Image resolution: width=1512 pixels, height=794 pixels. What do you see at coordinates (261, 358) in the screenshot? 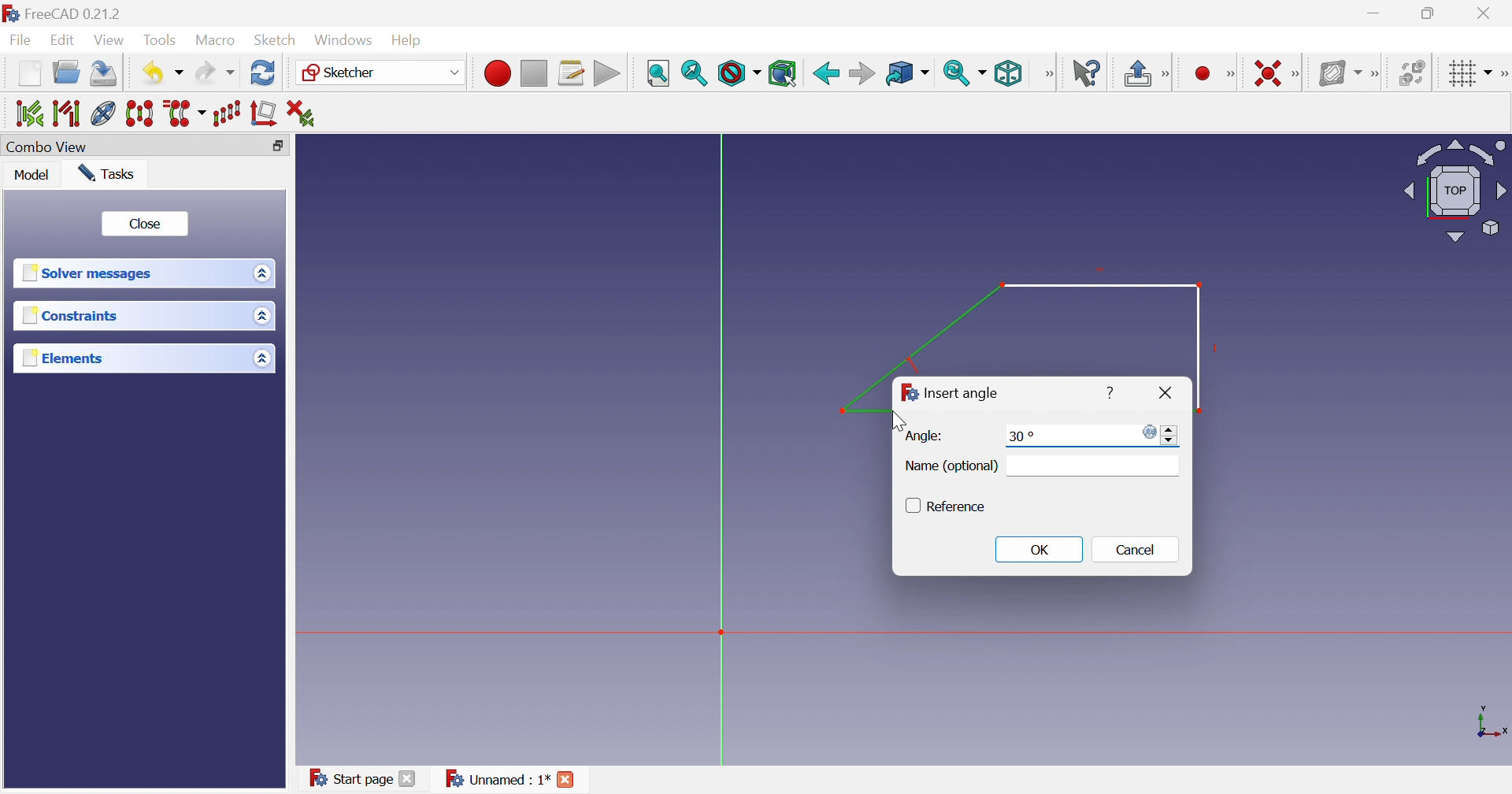
I see `Drop Down` at bounding box center [261, 358].